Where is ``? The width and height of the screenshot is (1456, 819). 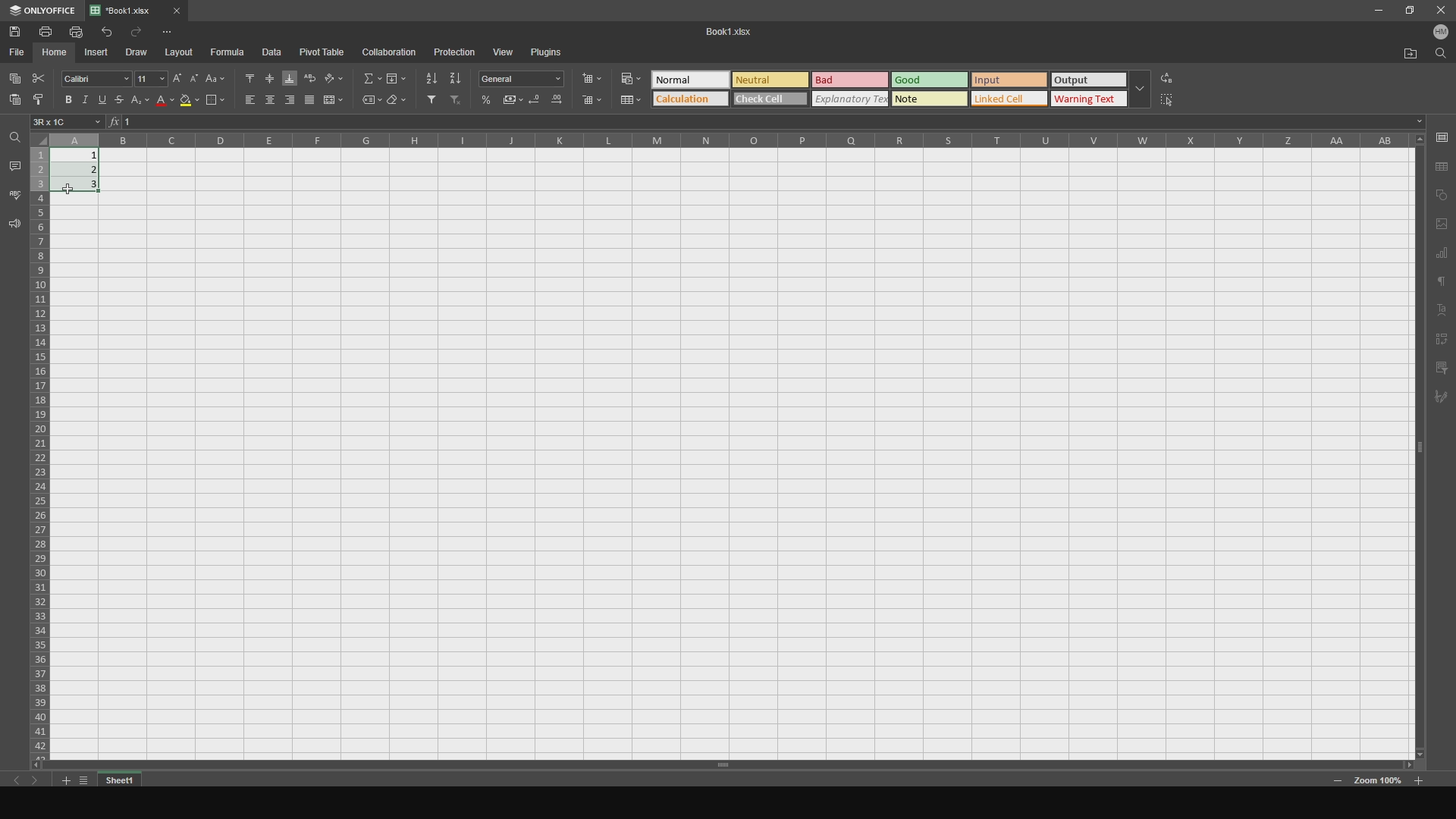  is located at coordinates (556, 102).